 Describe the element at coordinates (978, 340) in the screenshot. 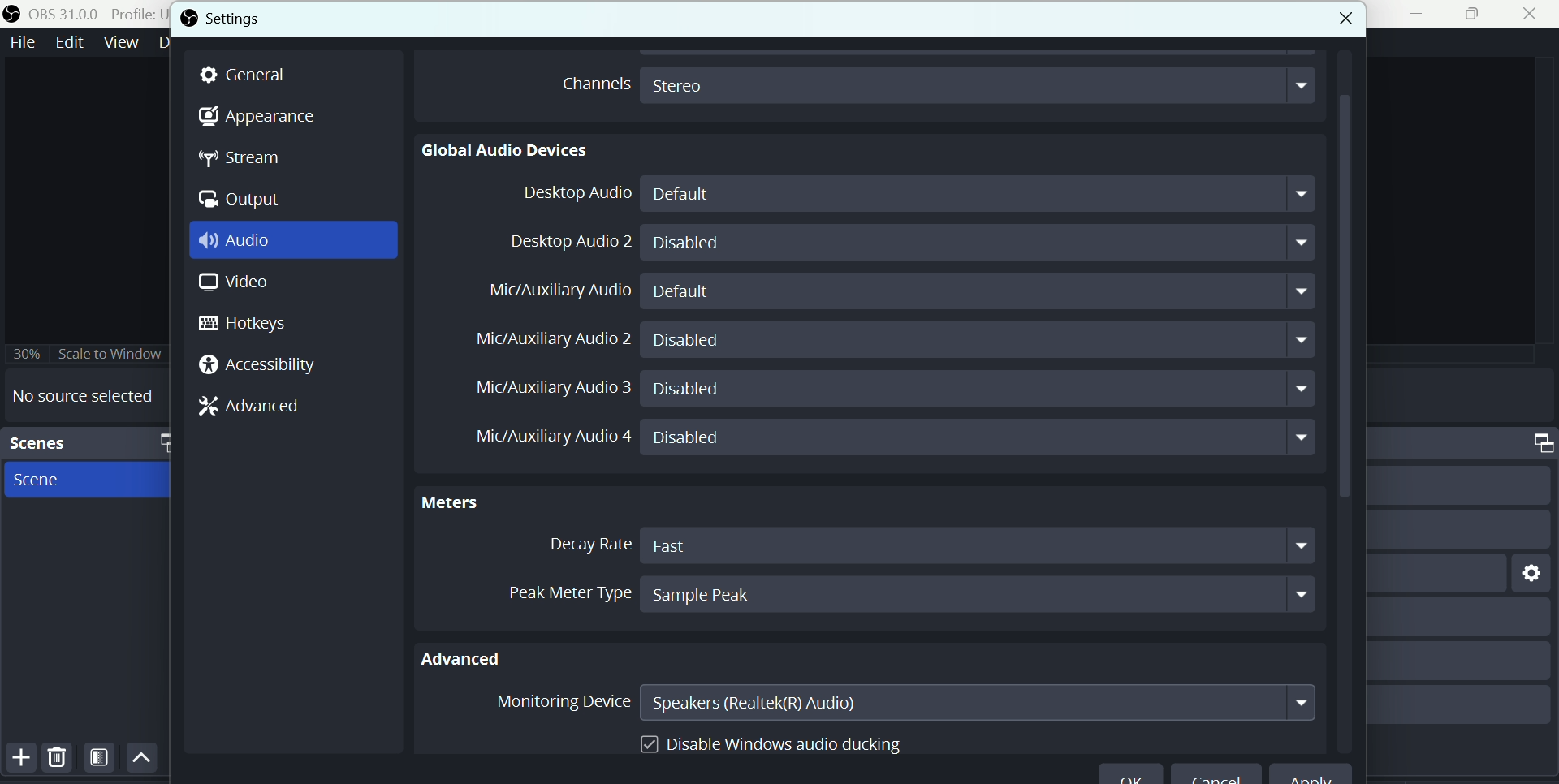

I see `Disabled` at that location.